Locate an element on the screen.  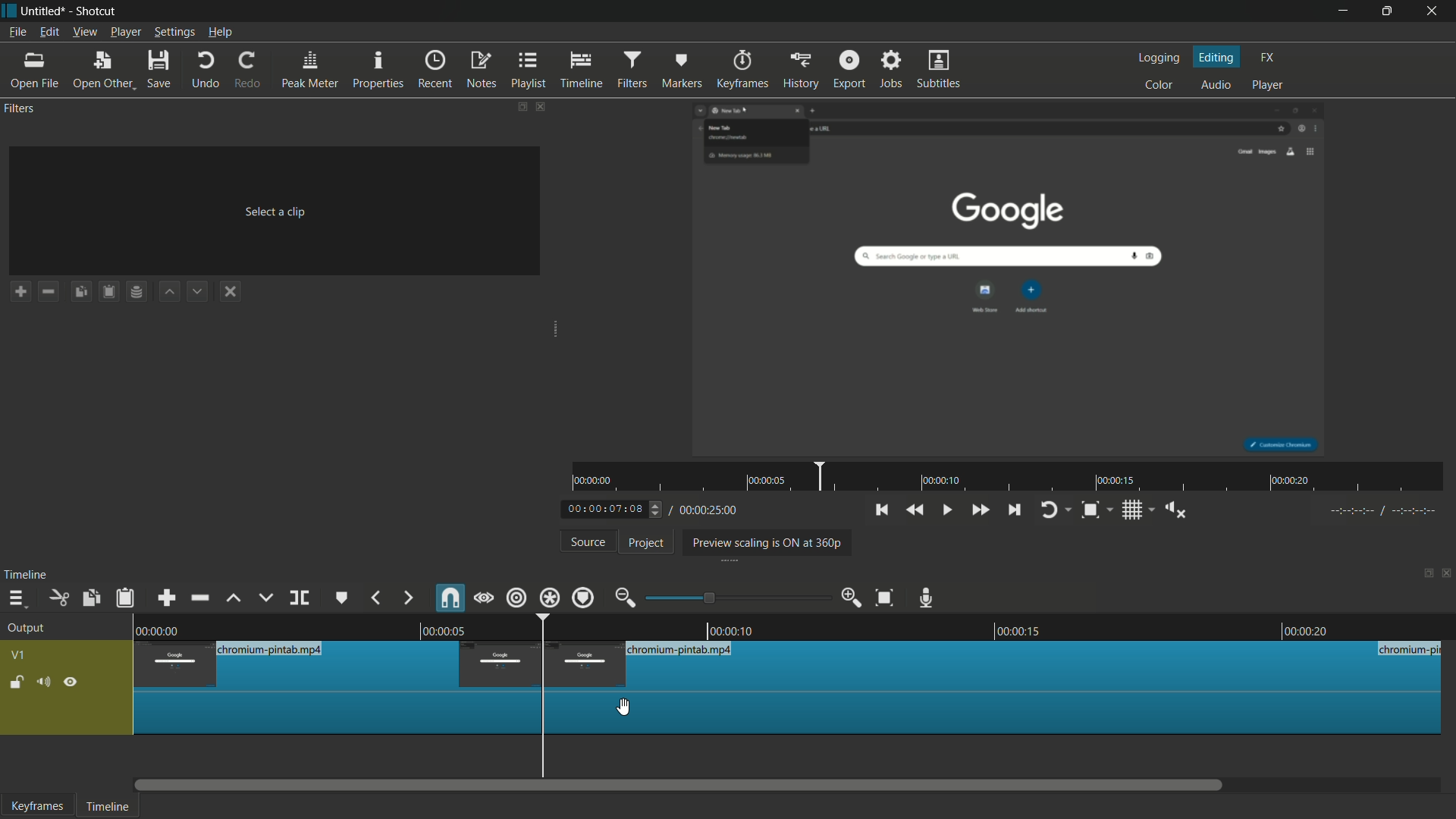
imported file name is located at coordinates (276, 133).